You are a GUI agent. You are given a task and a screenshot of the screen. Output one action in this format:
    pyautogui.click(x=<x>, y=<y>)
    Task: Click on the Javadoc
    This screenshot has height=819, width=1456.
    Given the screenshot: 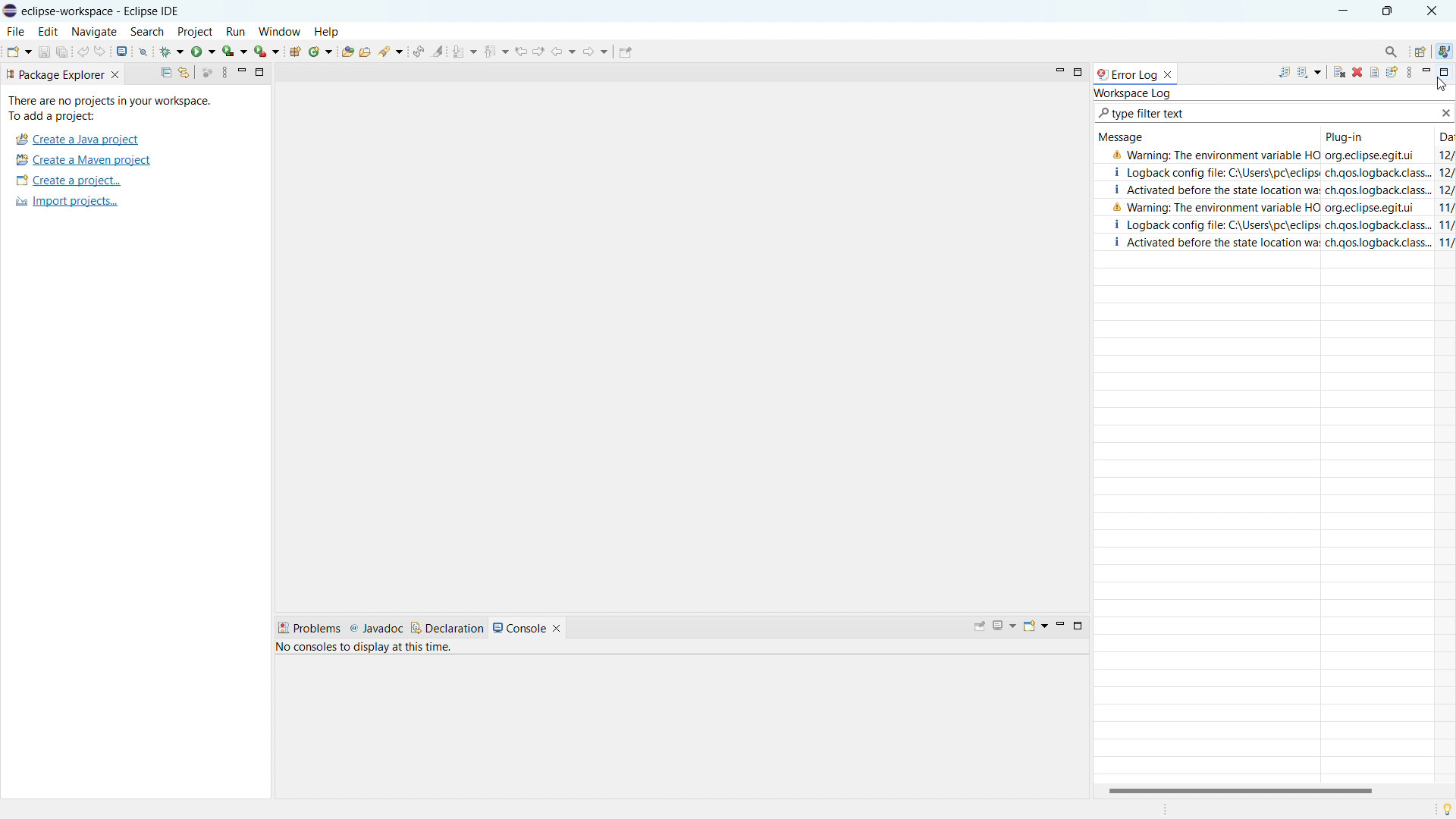 What is the action you would take?
    pyautogui.click(x=375, y=629)
    